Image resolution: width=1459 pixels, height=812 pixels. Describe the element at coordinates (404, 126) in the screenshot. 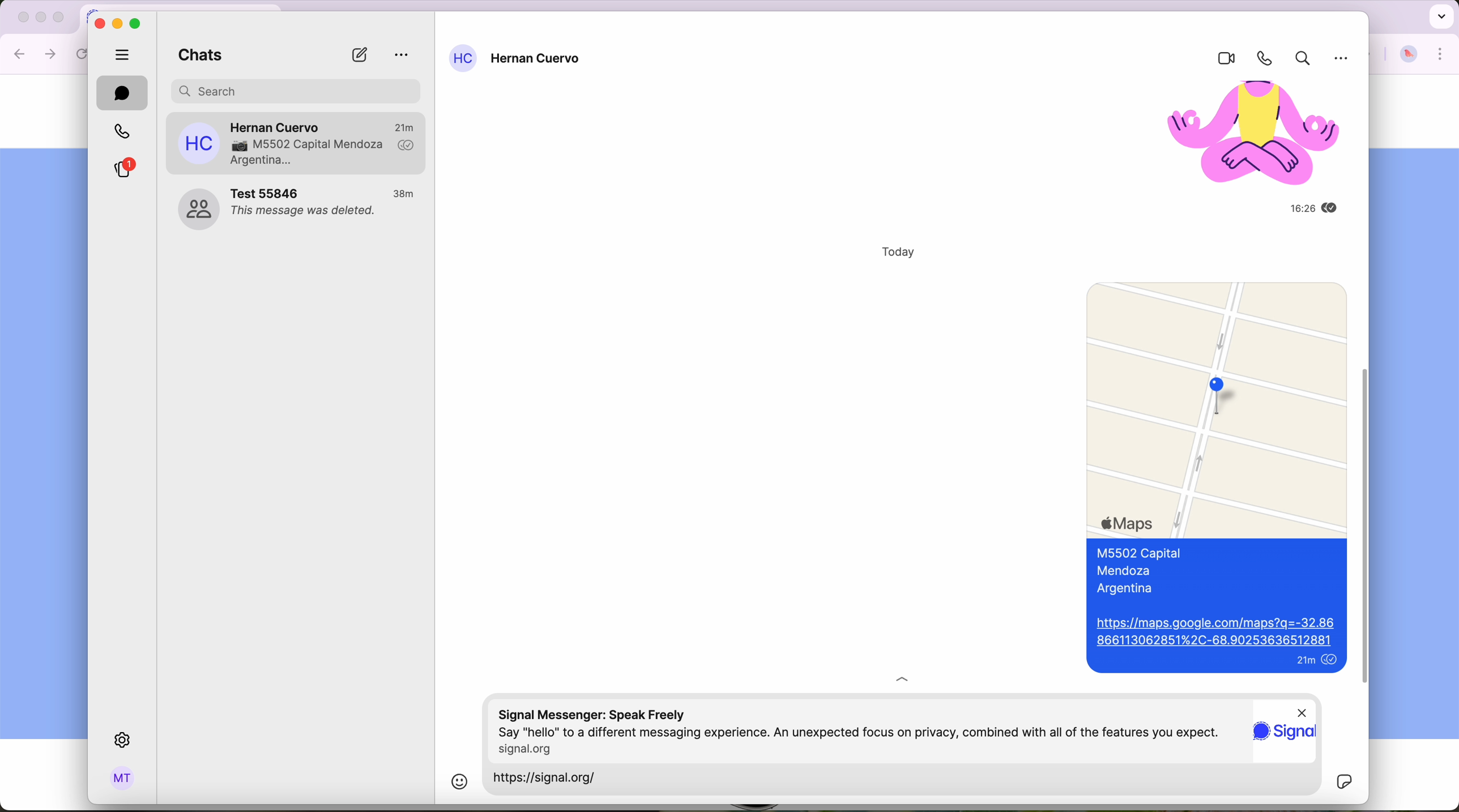

I see `21m` at that location.